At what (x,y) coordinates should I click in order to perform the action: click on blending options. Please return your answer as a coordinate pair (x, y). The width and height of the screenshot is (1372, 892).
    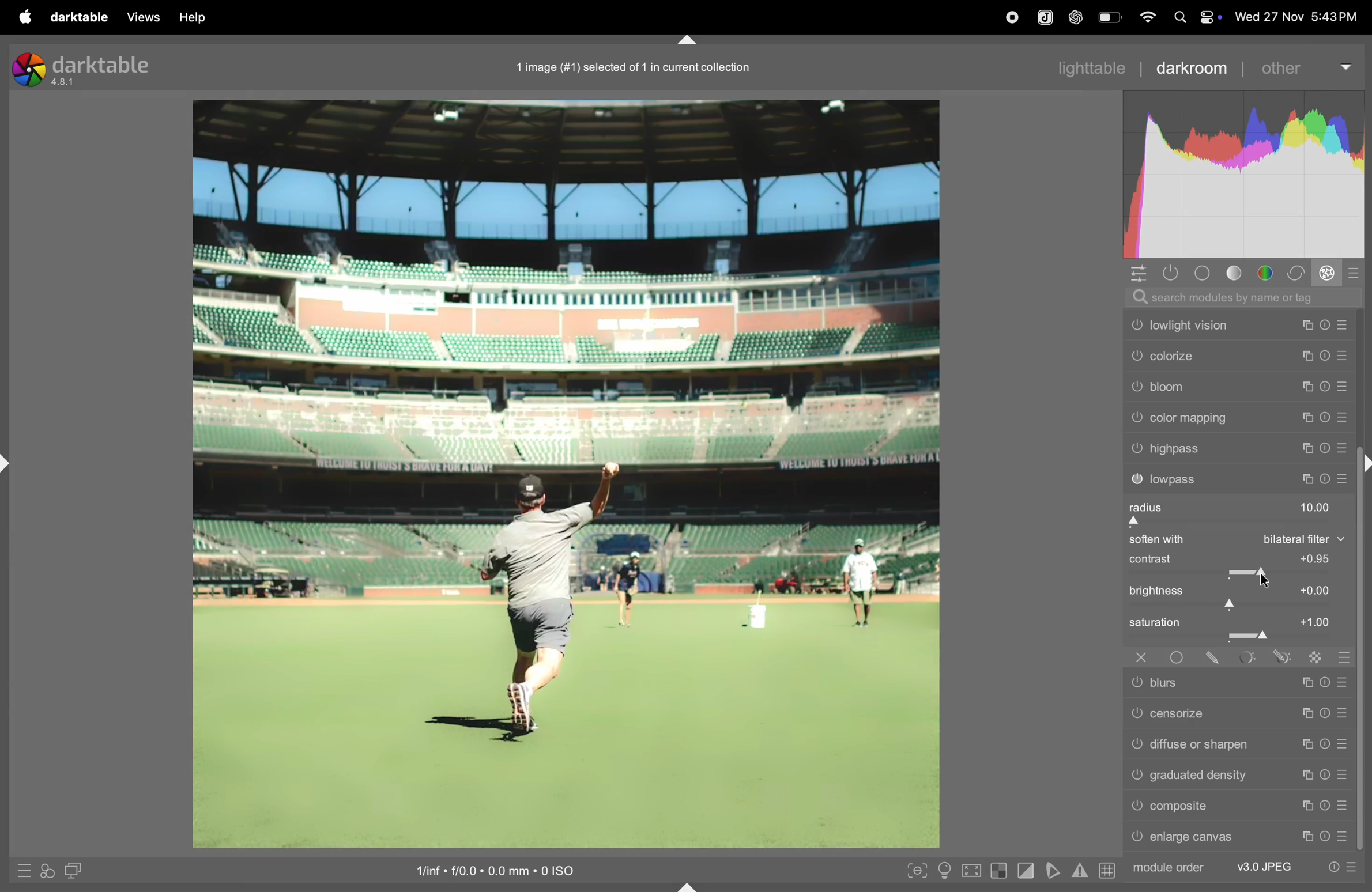
    Looking at the image, I should click on (1345, 658).